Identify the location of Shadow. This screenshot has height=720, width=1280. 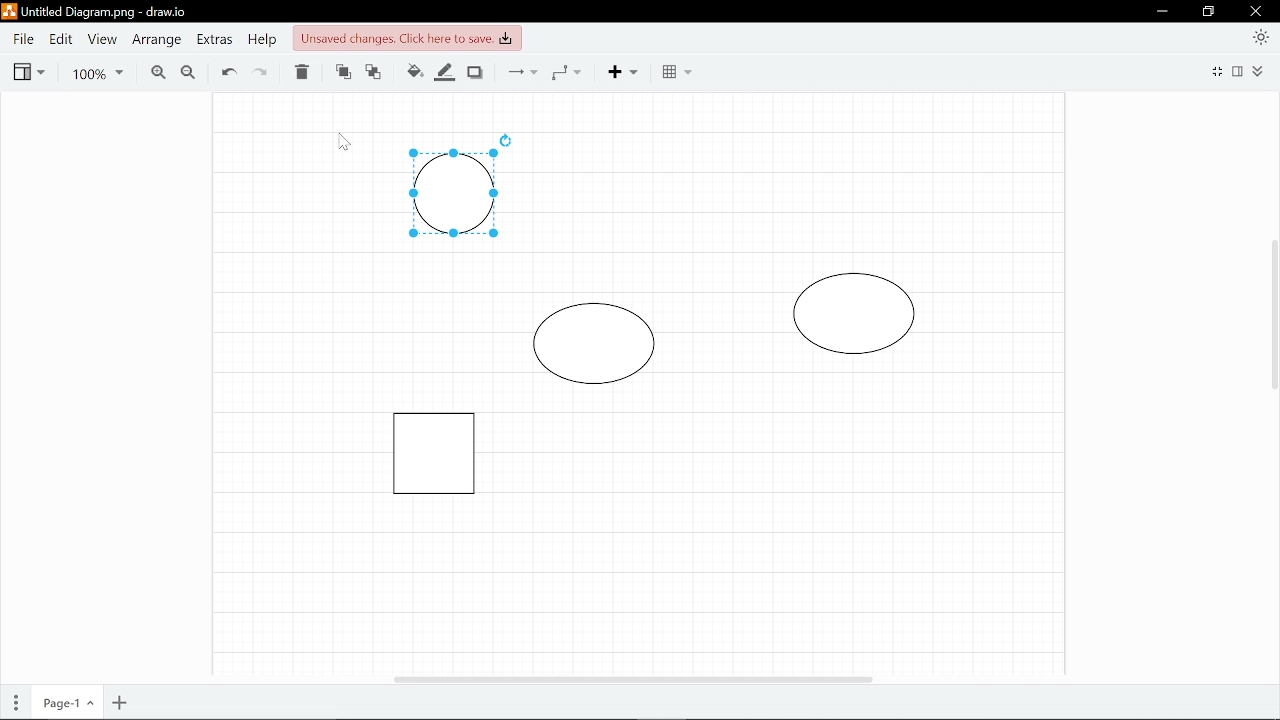
(478, 71).